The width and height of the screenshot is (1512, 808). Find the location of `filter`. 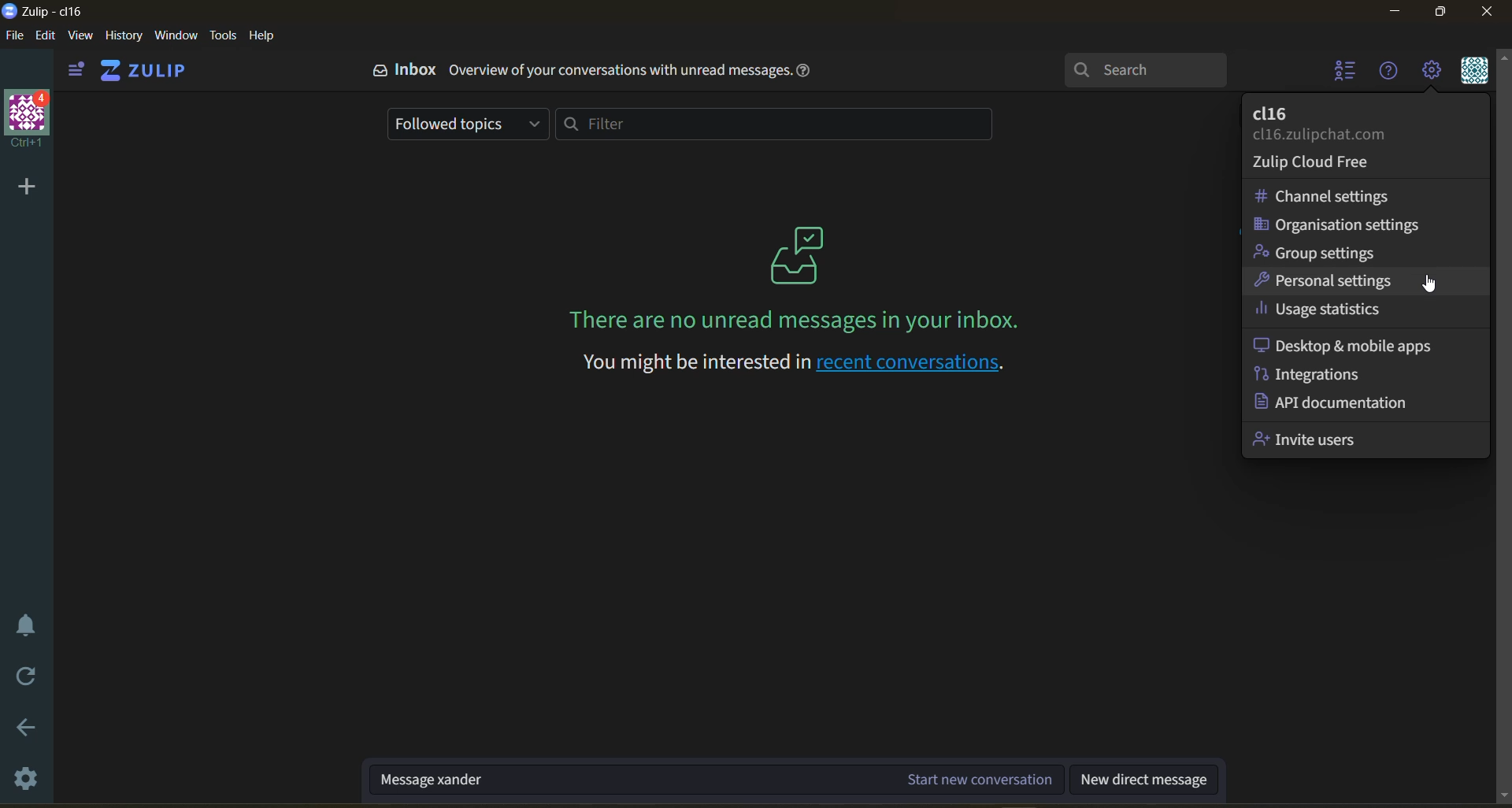

filter is located at coordinates (769, 124).